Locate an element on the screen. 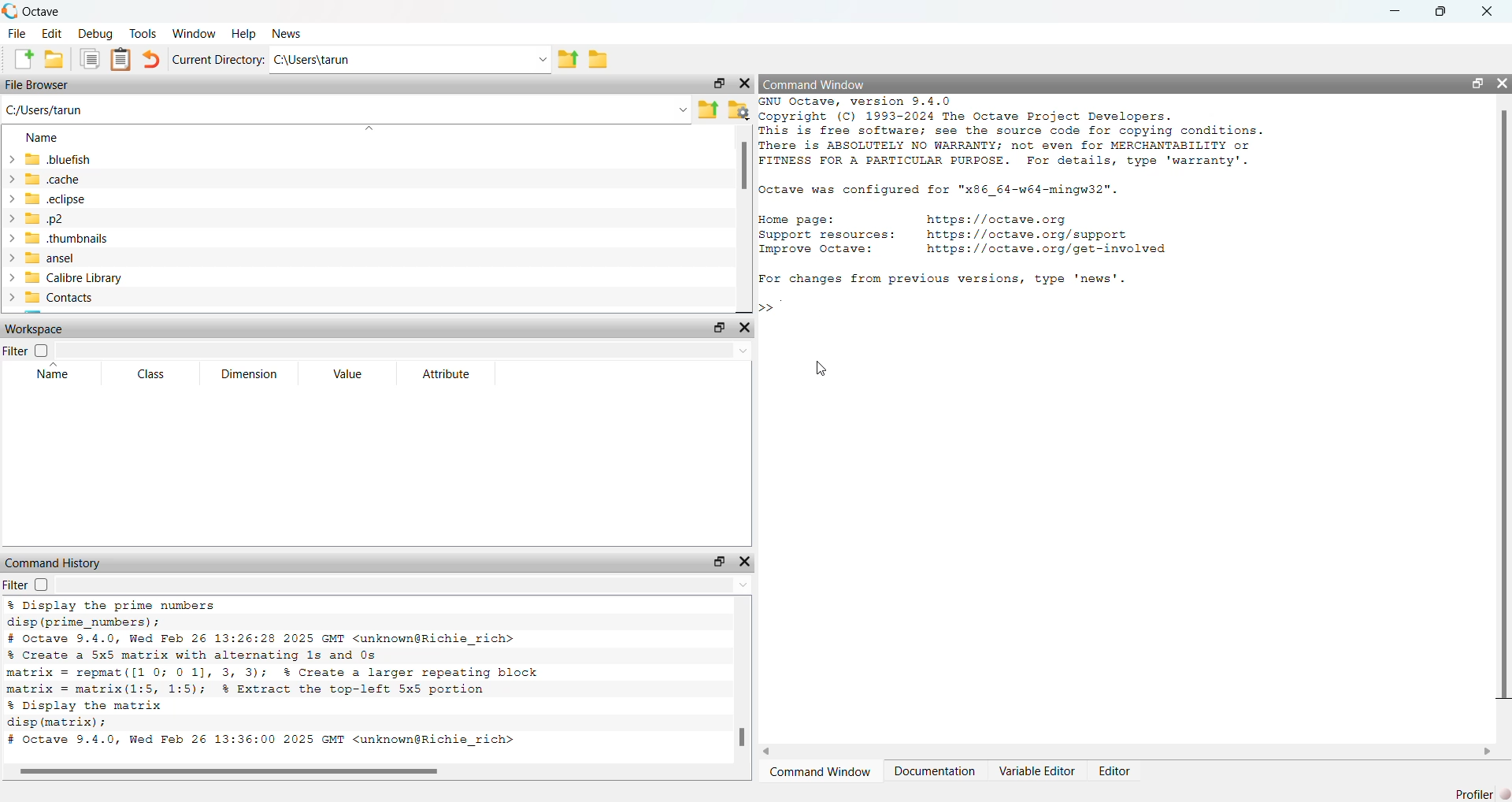  For changes from previous versions, type 'news'. is located at coordinates (954, 279).